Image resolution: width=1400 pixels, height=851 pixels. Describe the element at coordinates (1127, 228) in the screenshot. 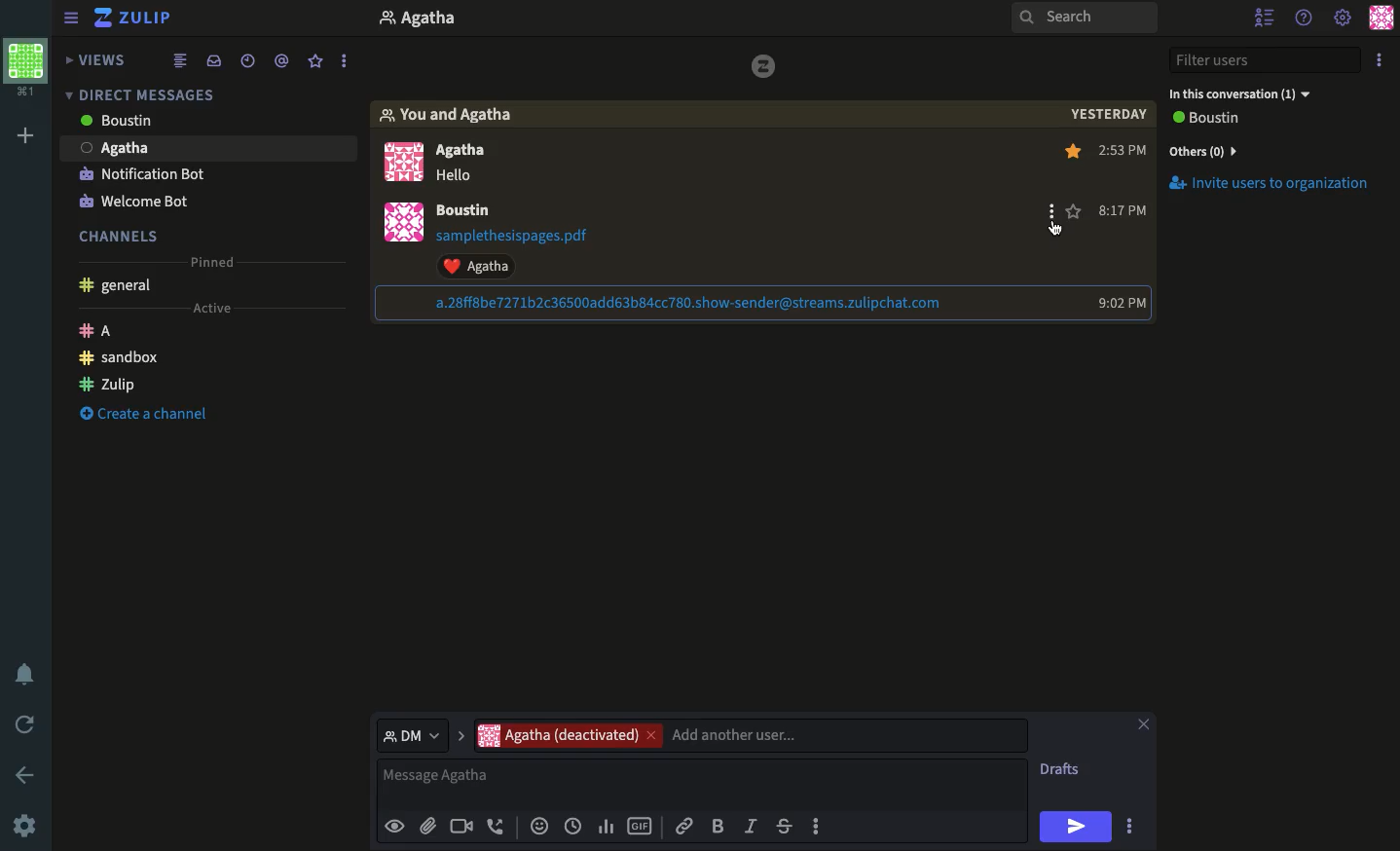

I see `Time` at that location.